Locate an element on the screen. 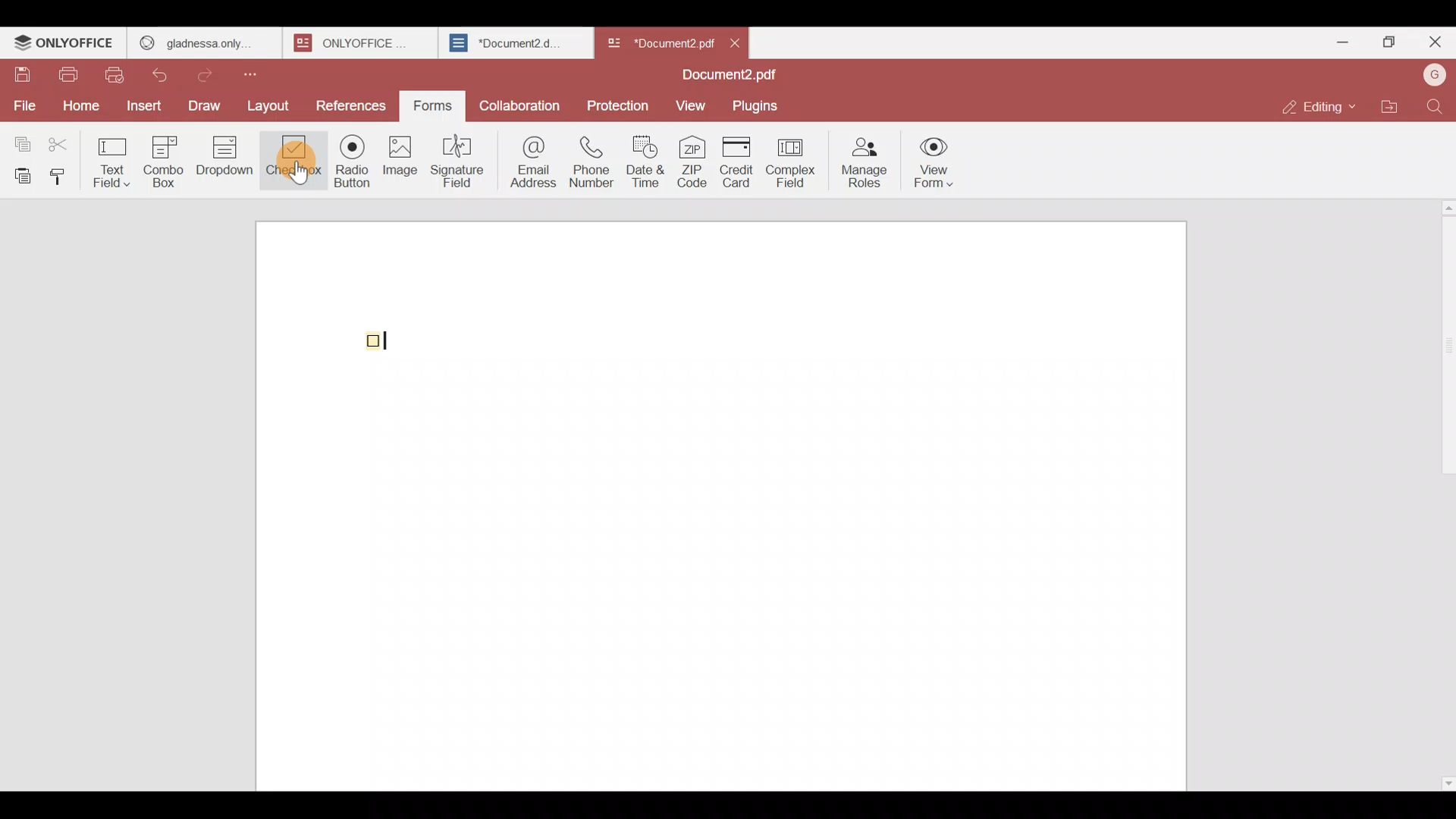 This screenshot has width=1456, height=819. Cut is located at coordinates (65, 141).